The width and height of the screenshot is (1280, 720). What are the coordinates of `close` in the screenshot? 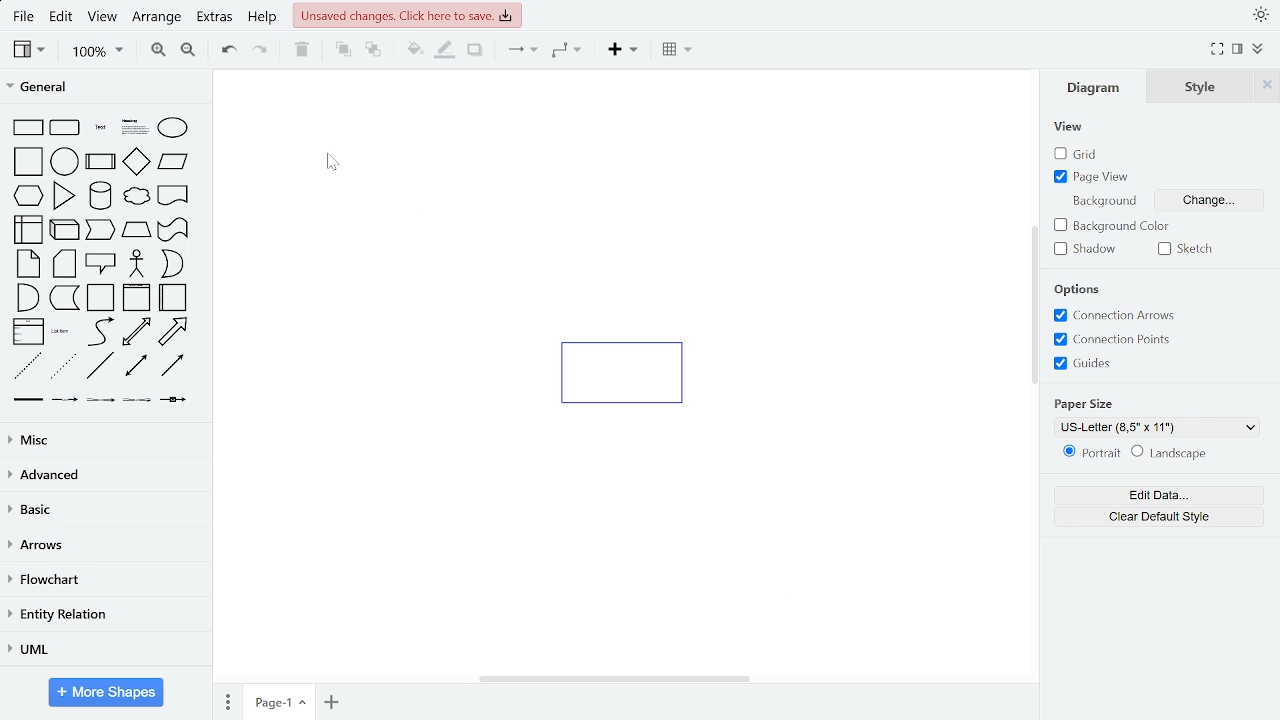 It's located at (1269, 85).